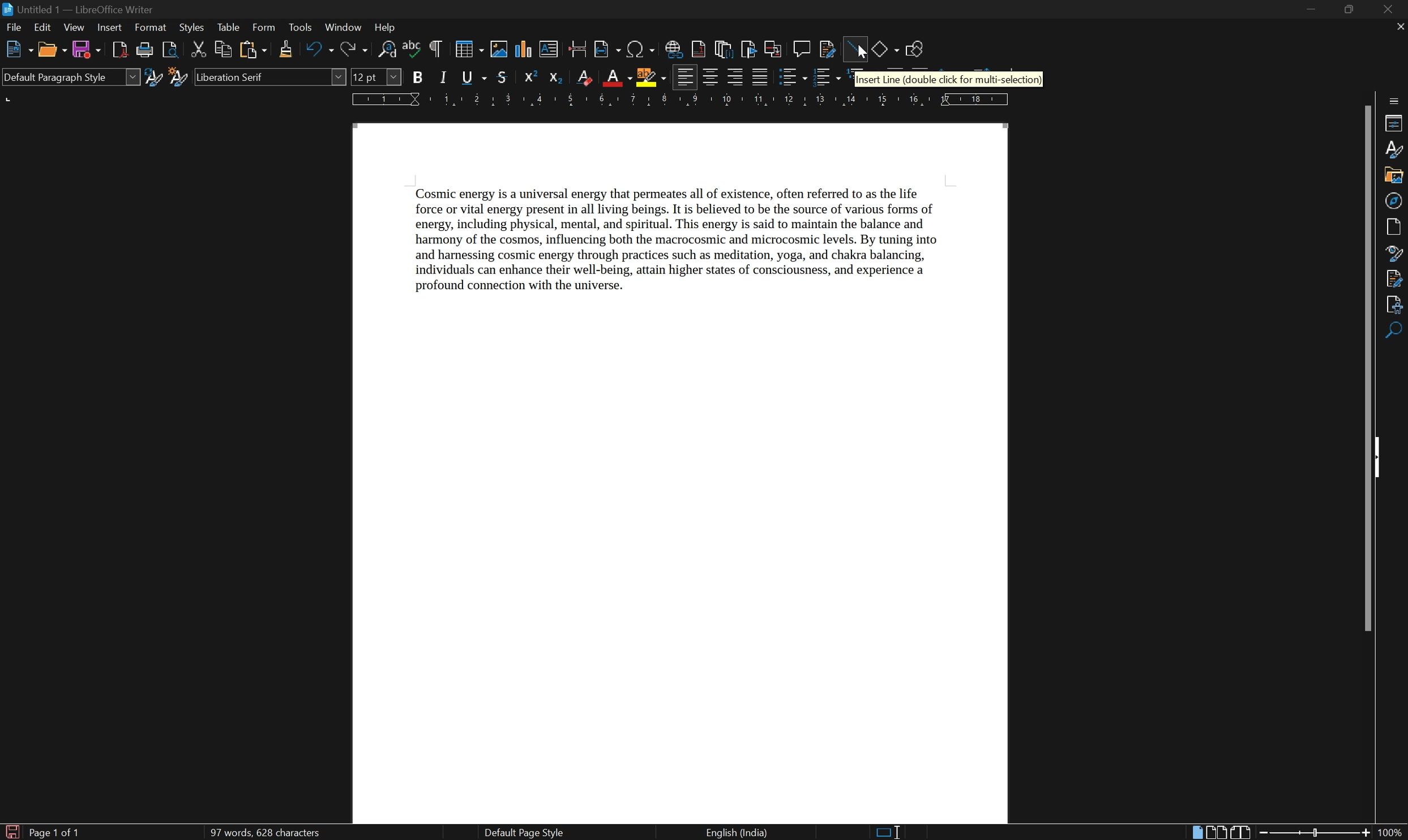  Describe the element at coordinates (1394, 123) in the screenshot. I see `properties` at that location.